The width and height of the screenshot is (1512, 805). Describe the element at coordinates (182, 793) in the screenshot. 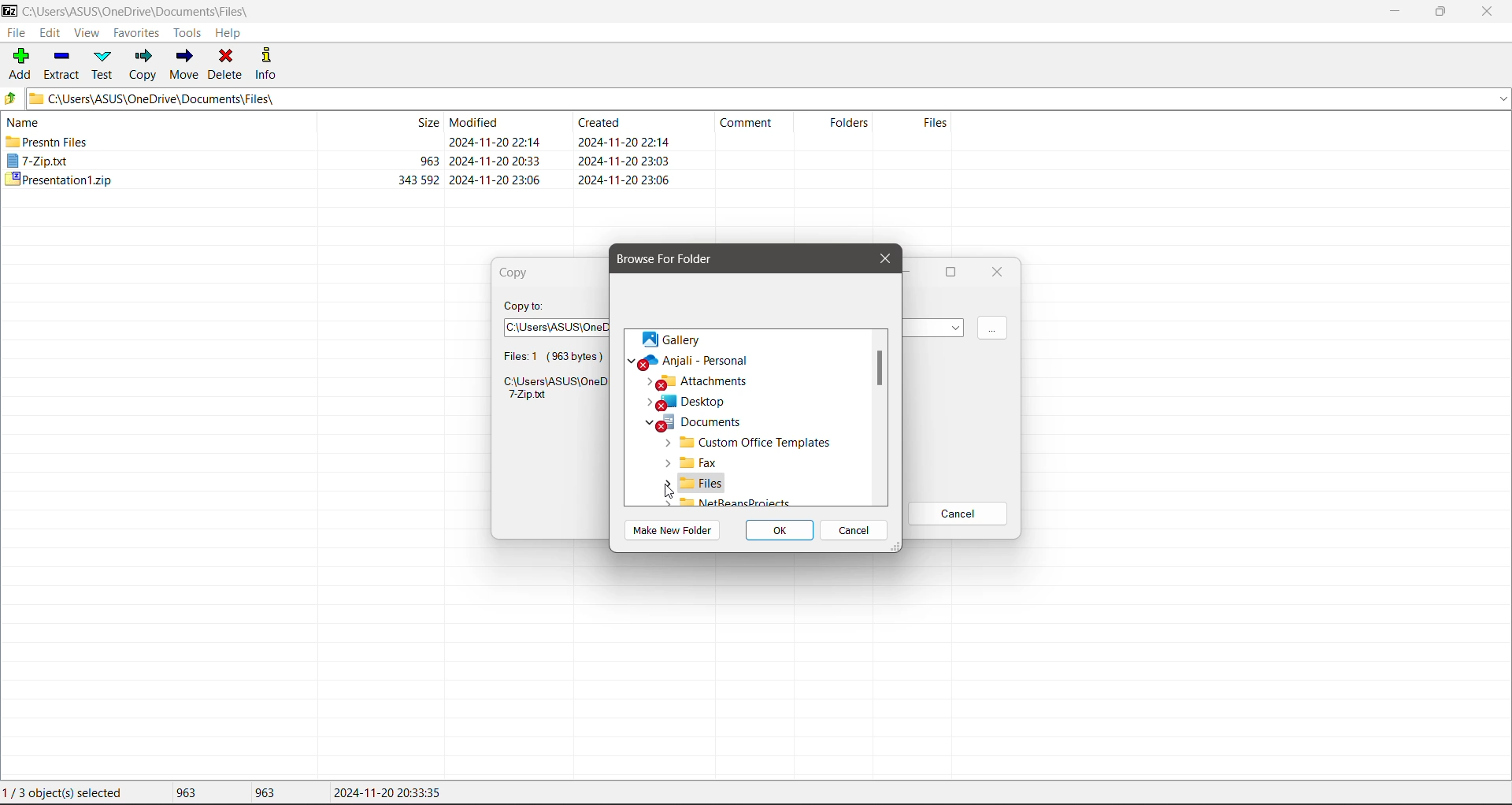

I see `Total size of file(s) selected` at that location.